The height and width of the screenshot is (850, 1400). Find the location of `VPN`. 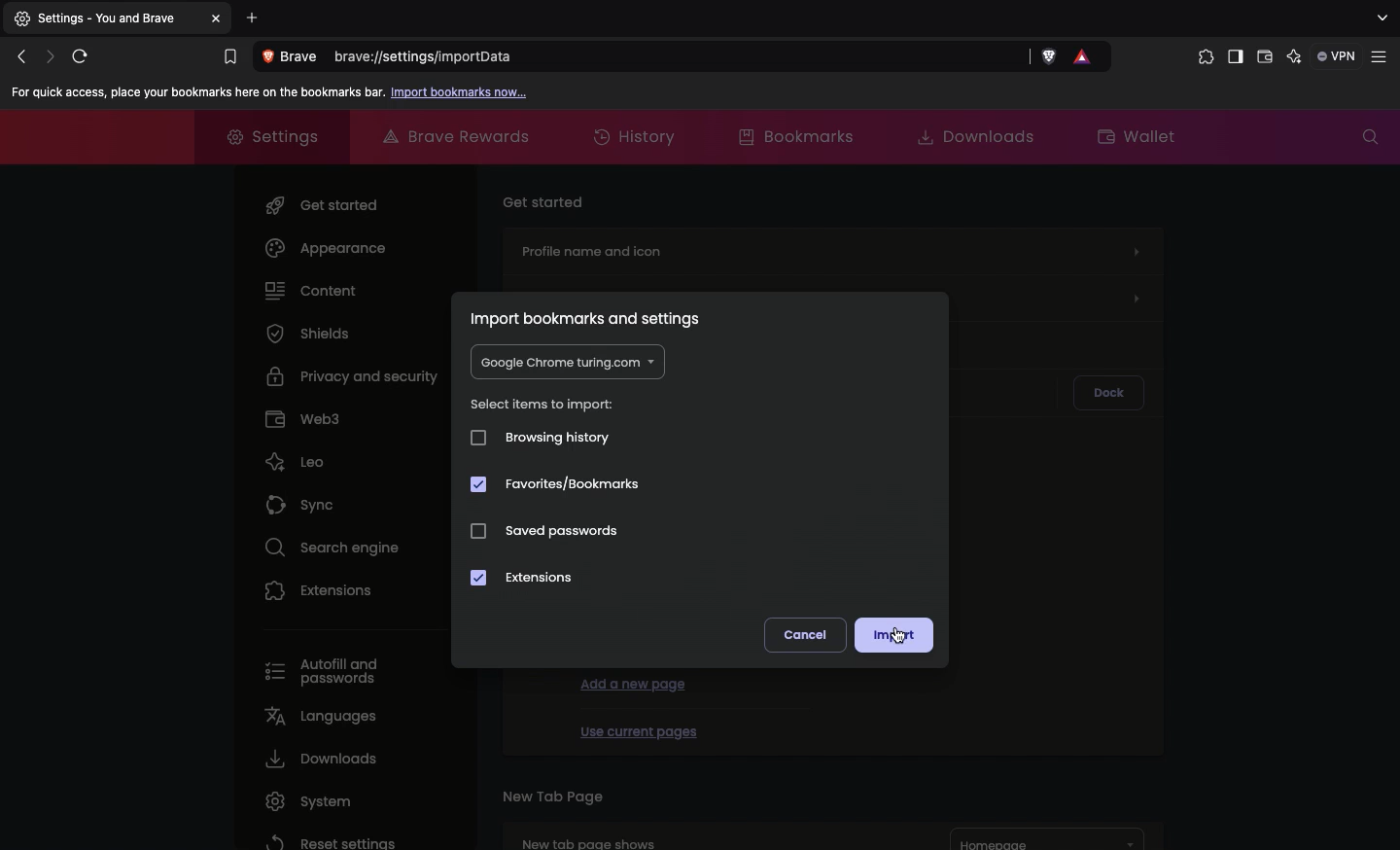

VPN is located at coordinates (1338, 55).